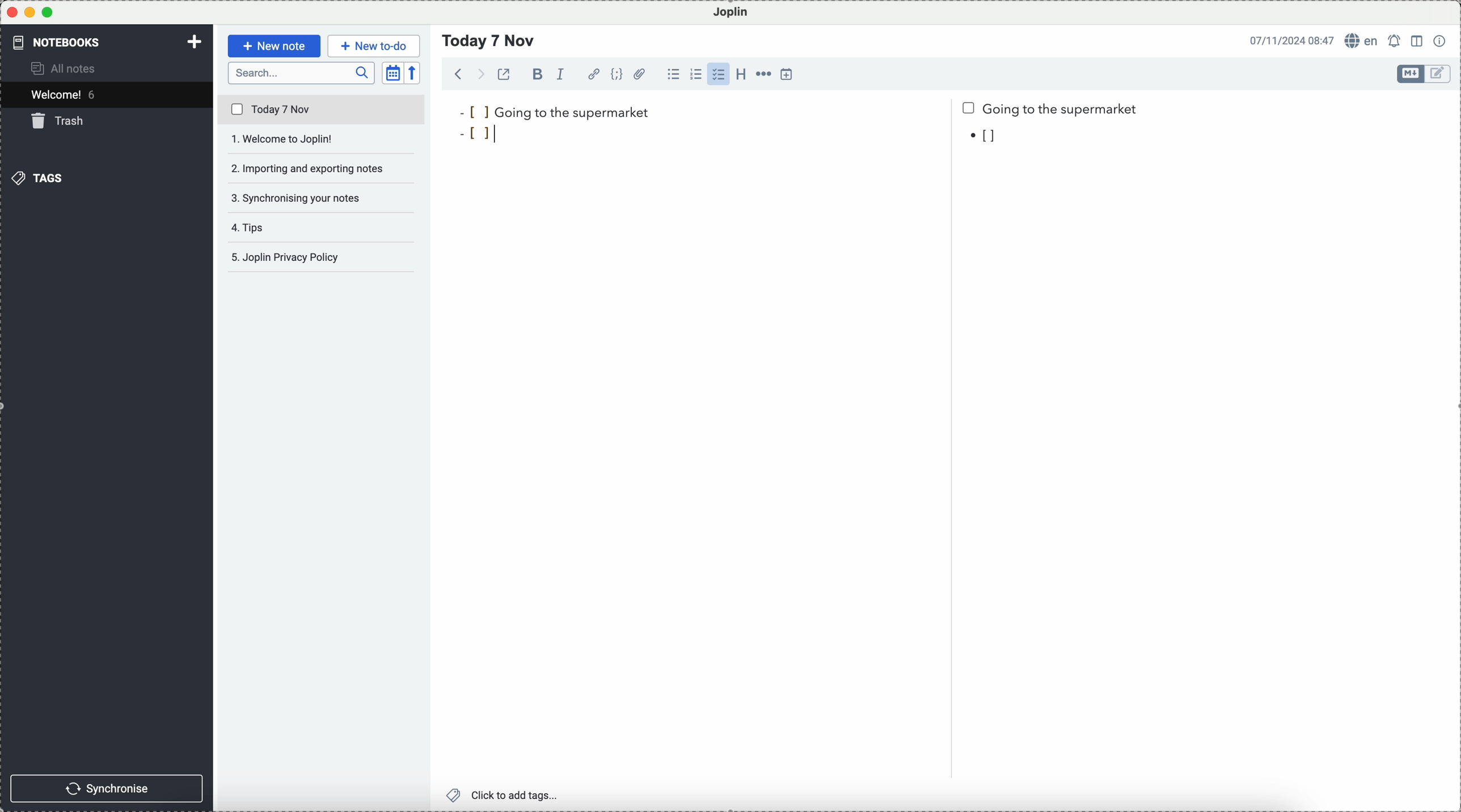 This screenshot has width=1461, height=812. I want to click on language, so click(1362, 40).